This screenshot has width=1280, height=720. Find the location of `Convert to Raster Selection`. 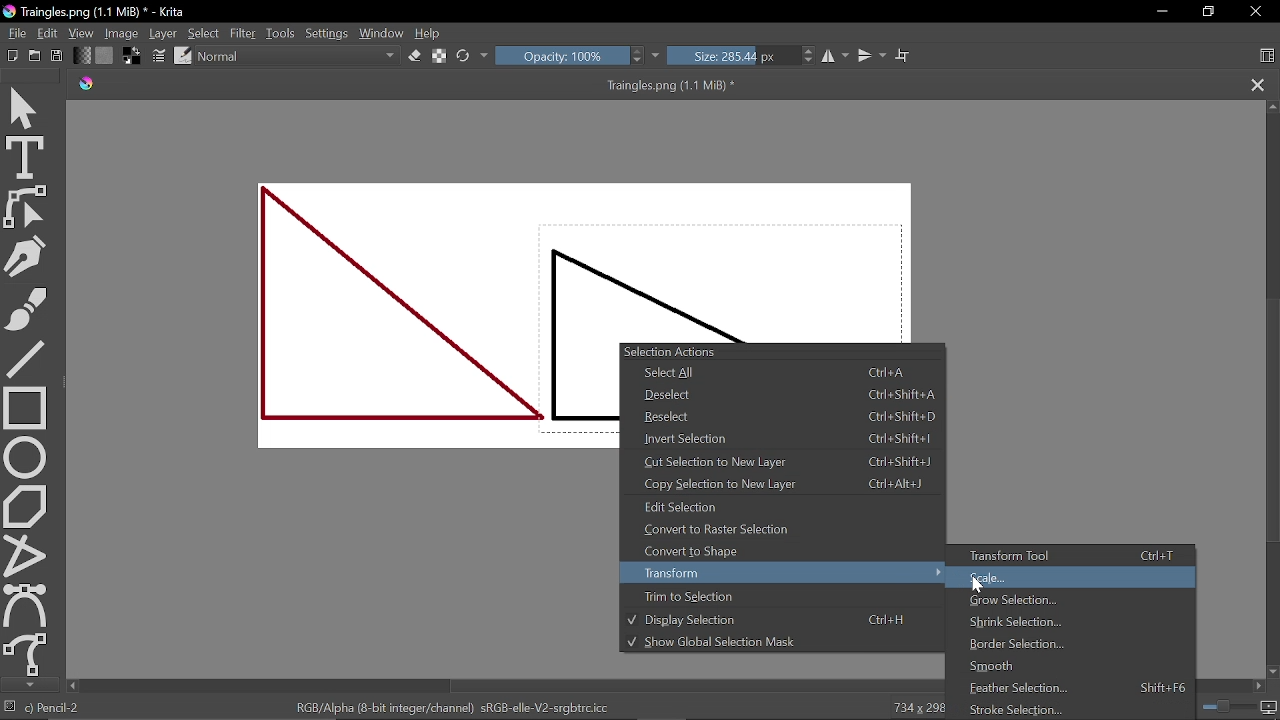

Convert to Raster Selection is located at coordinates (782, 529).